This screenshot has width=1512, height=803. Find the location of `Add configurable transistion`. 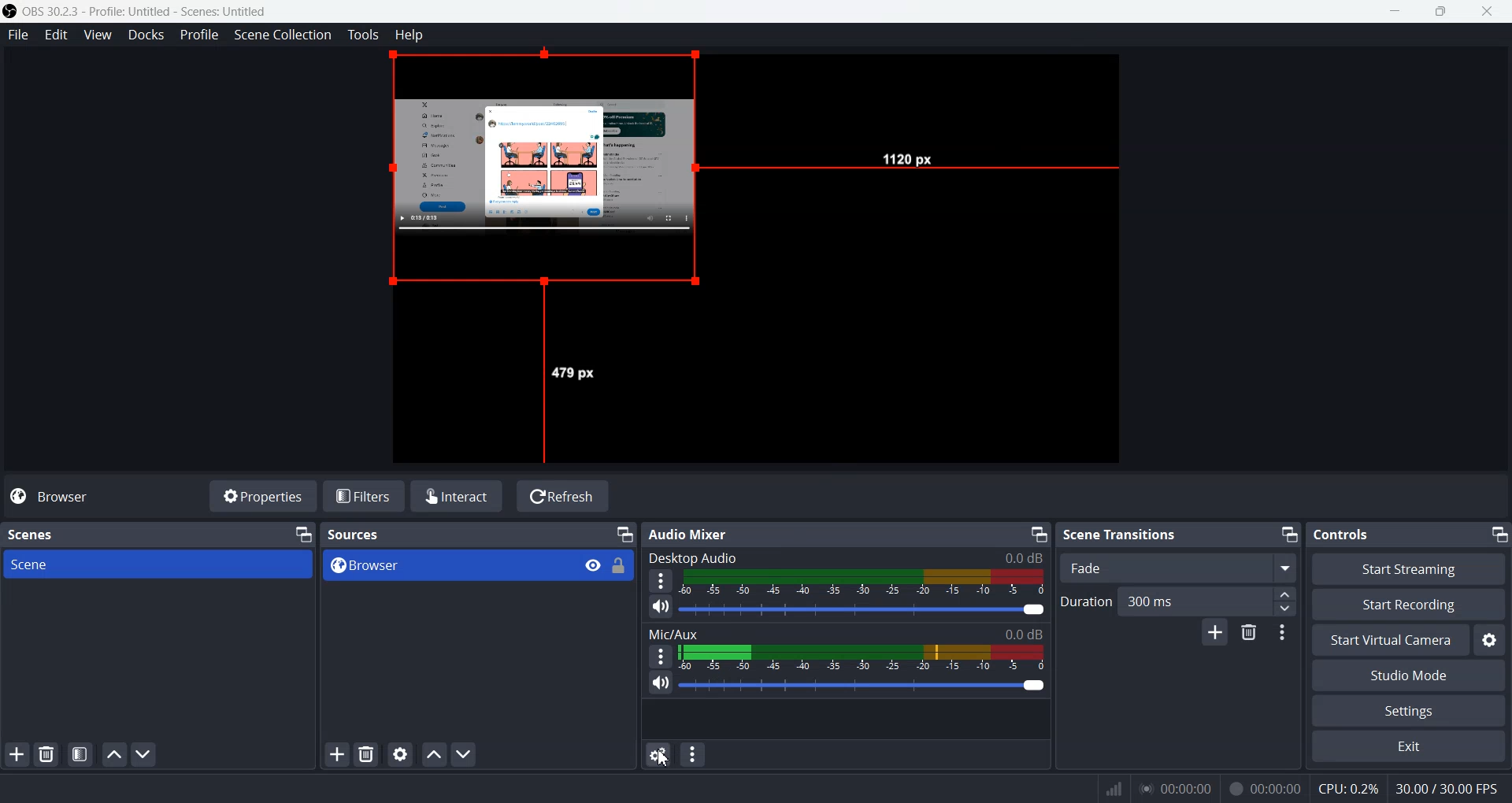

Add configurable transistion is located at coordinates (1214, 635).